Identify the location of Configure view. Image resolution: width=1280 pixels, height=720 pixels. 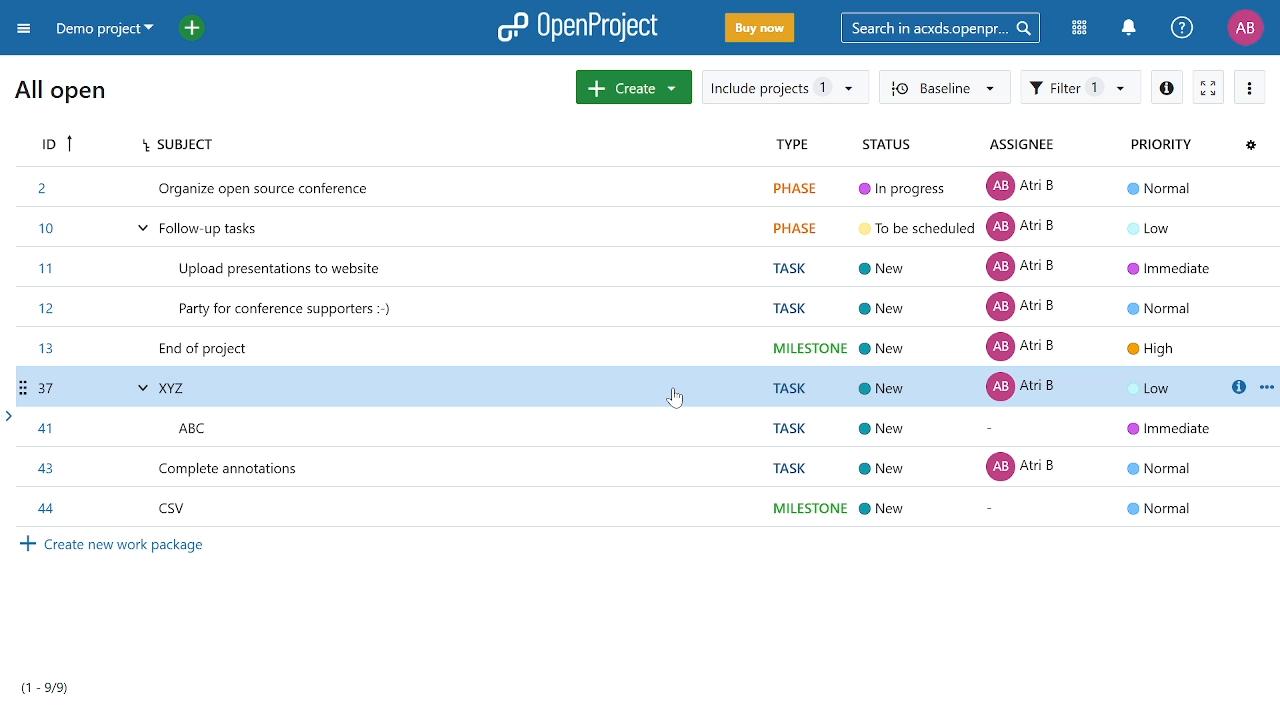
(1251, 146).